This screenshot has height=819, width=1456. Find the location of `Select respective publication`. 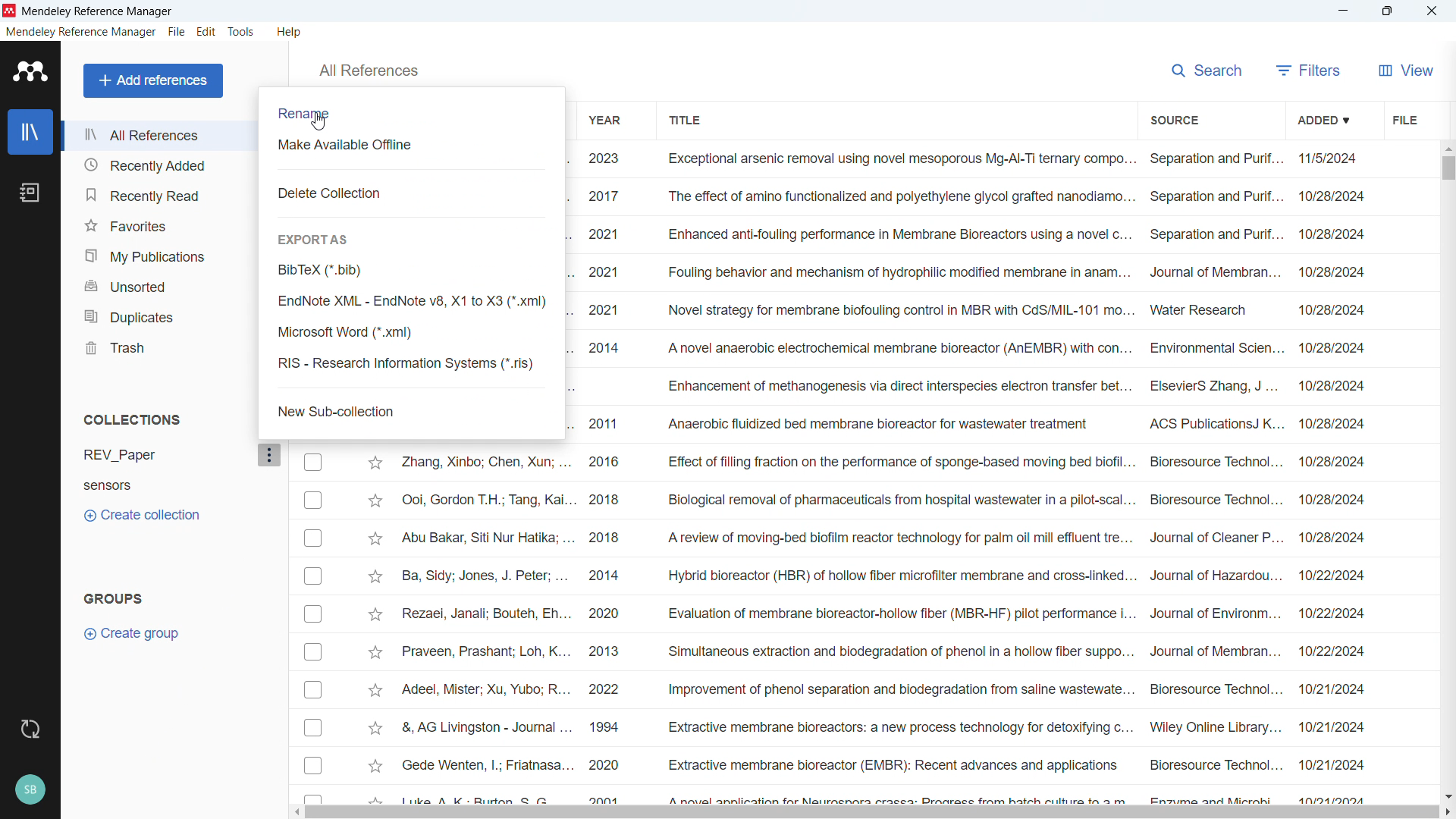

Select respective publication is located at coordinates (312, 538).